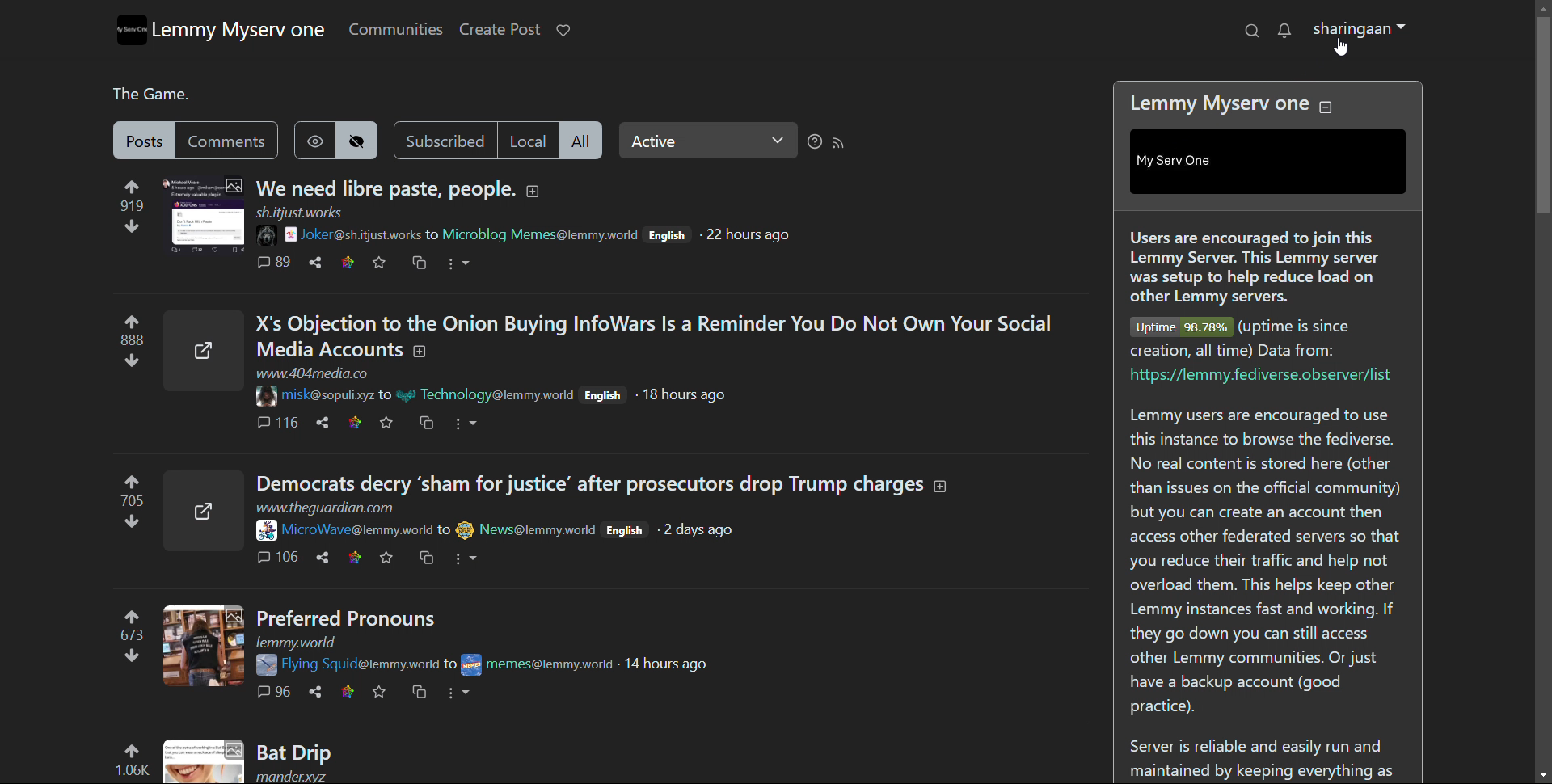  What do you see at coordinates (203, 648) in the screenshot?
I see `thumbnail` at bounding box center [203, 648].